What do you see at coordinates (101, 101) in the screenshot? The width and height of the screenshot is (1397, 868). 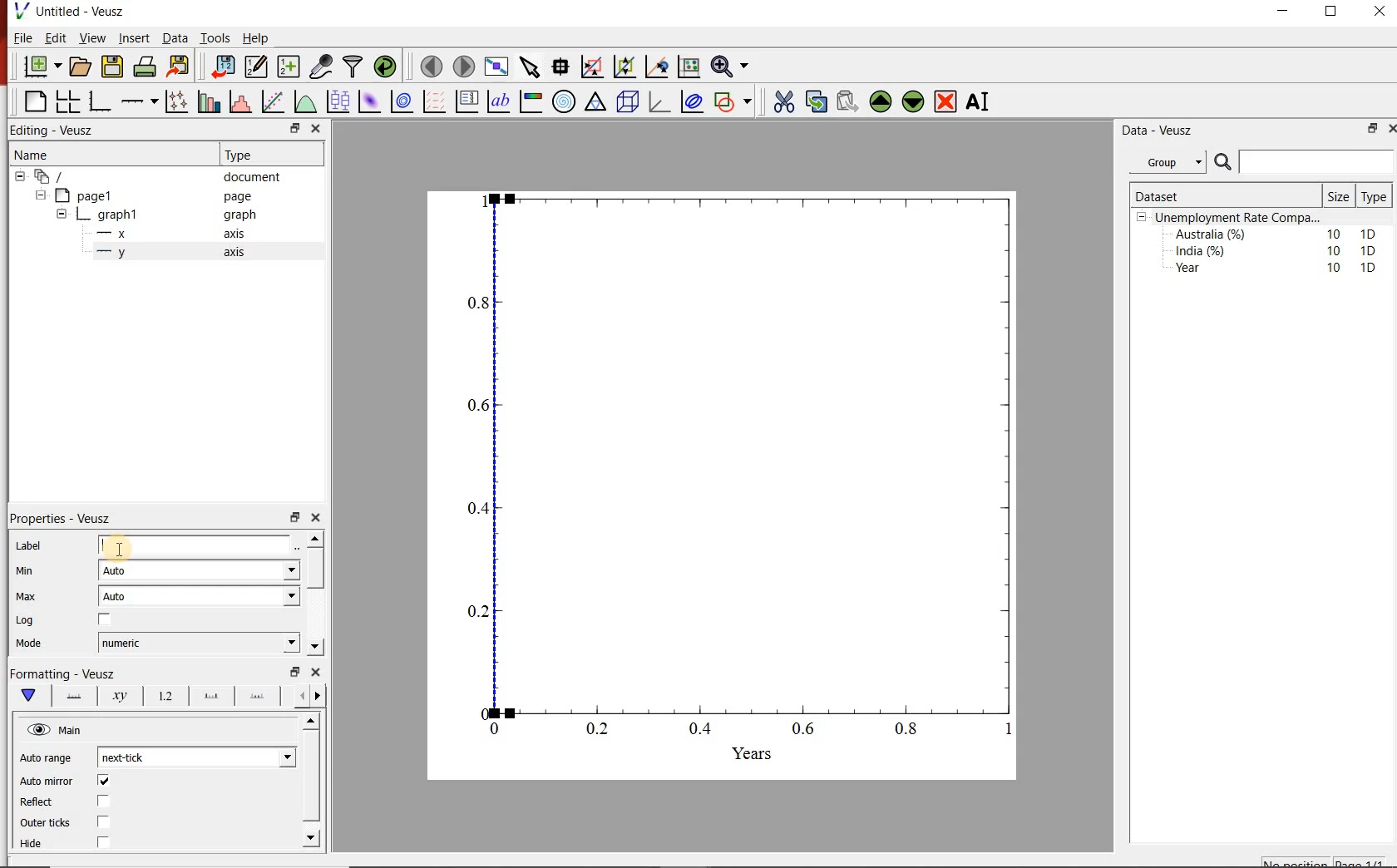 I see `base graphs` at bounding box center [101, 101].